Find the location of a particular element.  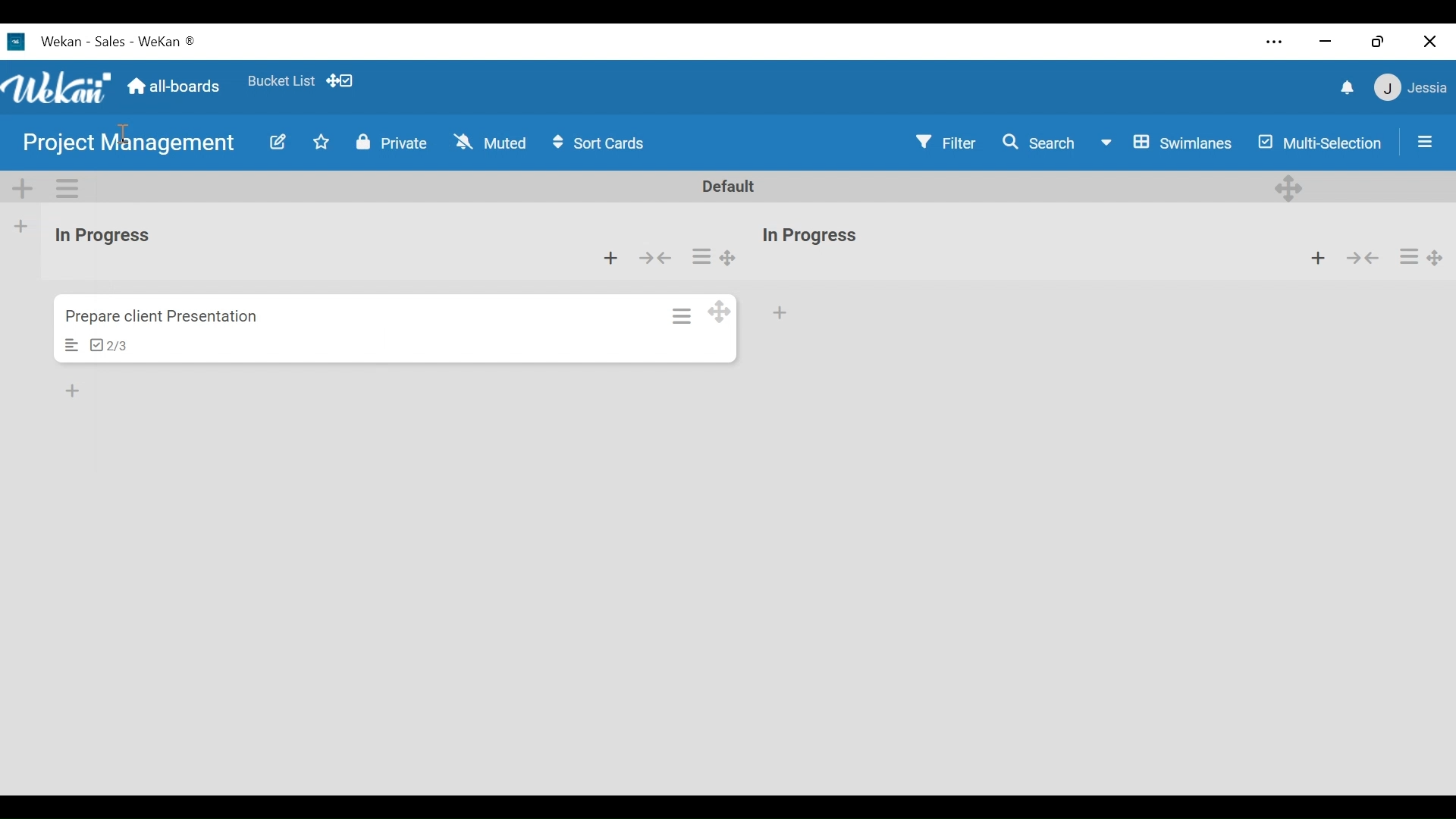

Board Title is located at coordinates (140, 141).